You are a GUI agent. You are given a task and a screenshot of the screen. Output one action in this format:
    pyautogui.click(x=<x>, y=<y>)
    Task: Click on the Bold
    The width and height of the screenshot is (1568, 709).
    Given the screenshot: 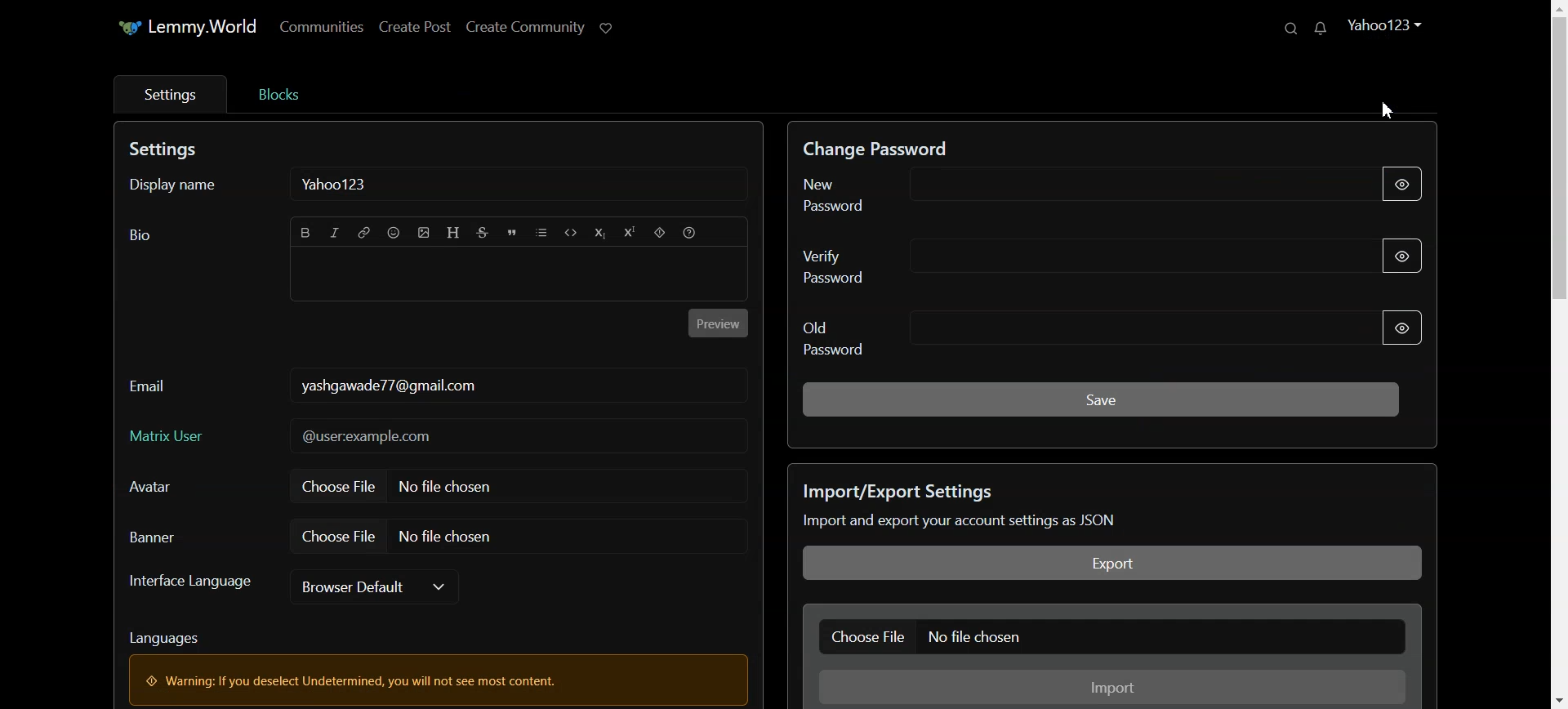 What is the action you would take?
    pyautogui.click(x=305, y=233)
    